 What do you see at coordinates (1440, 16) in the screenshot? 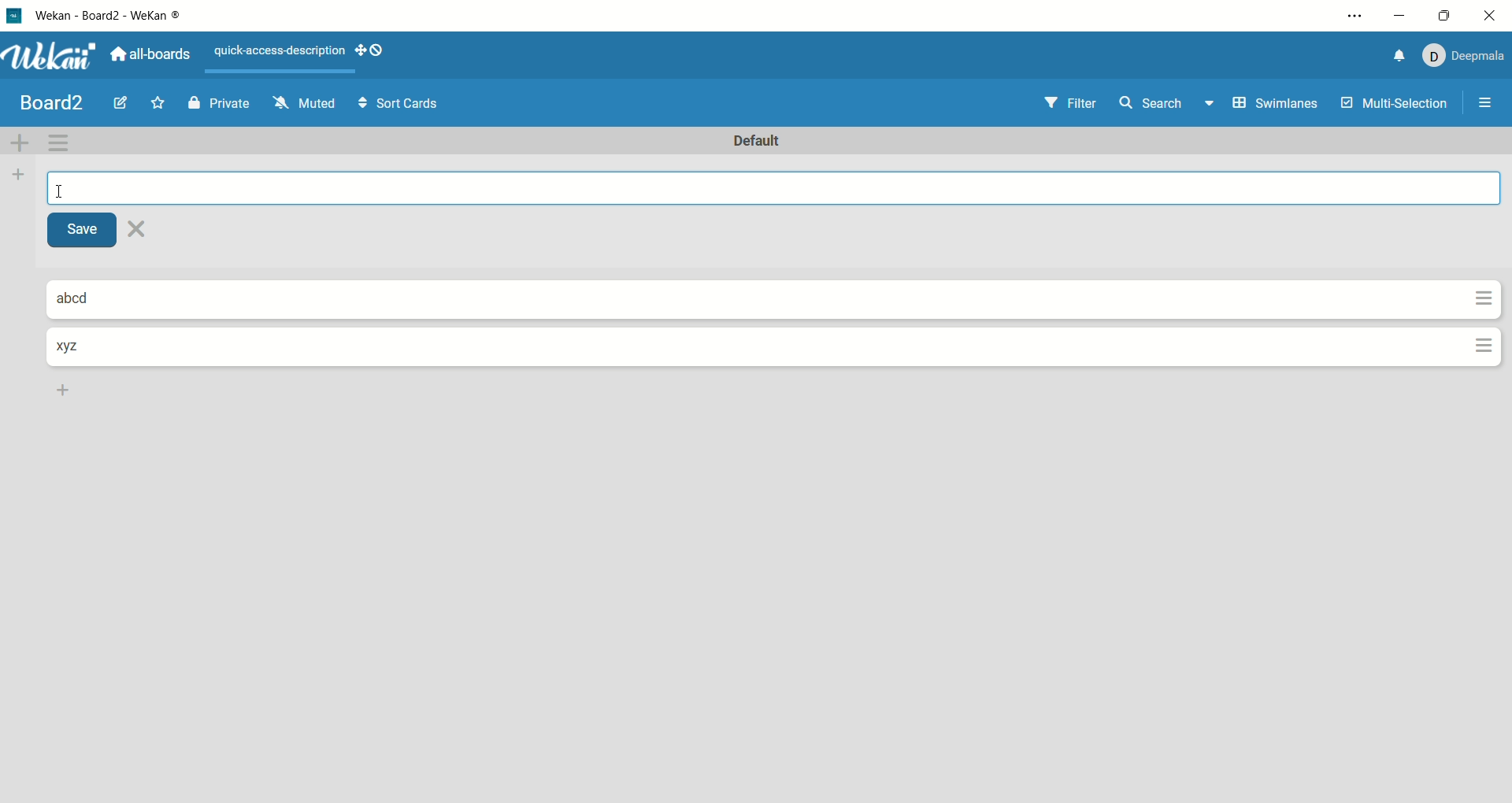
I see `maximize` at bounding box center [1440, 16].